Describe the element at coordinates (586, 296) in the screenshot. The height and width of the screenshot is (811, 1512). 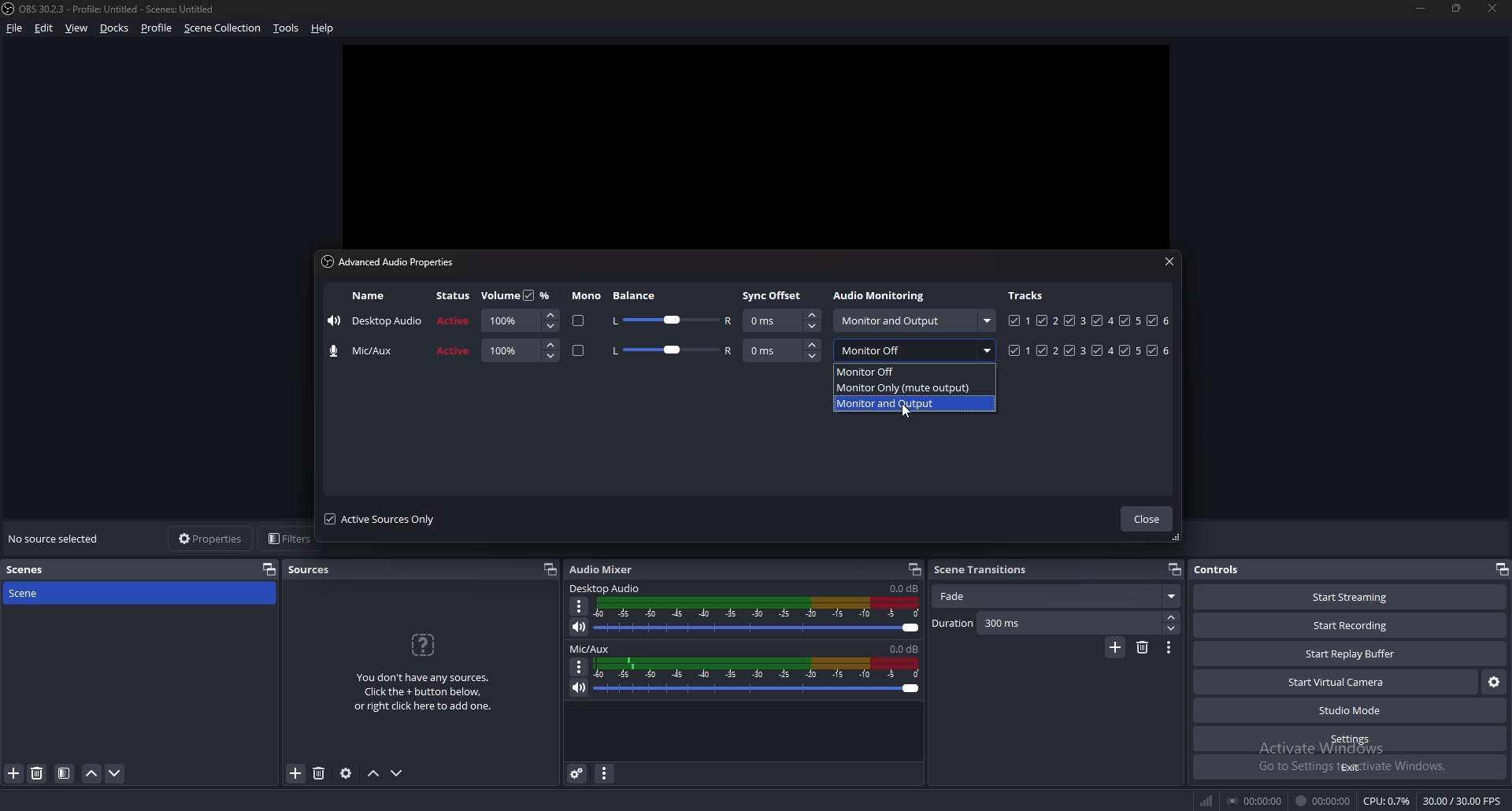
I see `mono` at that location.